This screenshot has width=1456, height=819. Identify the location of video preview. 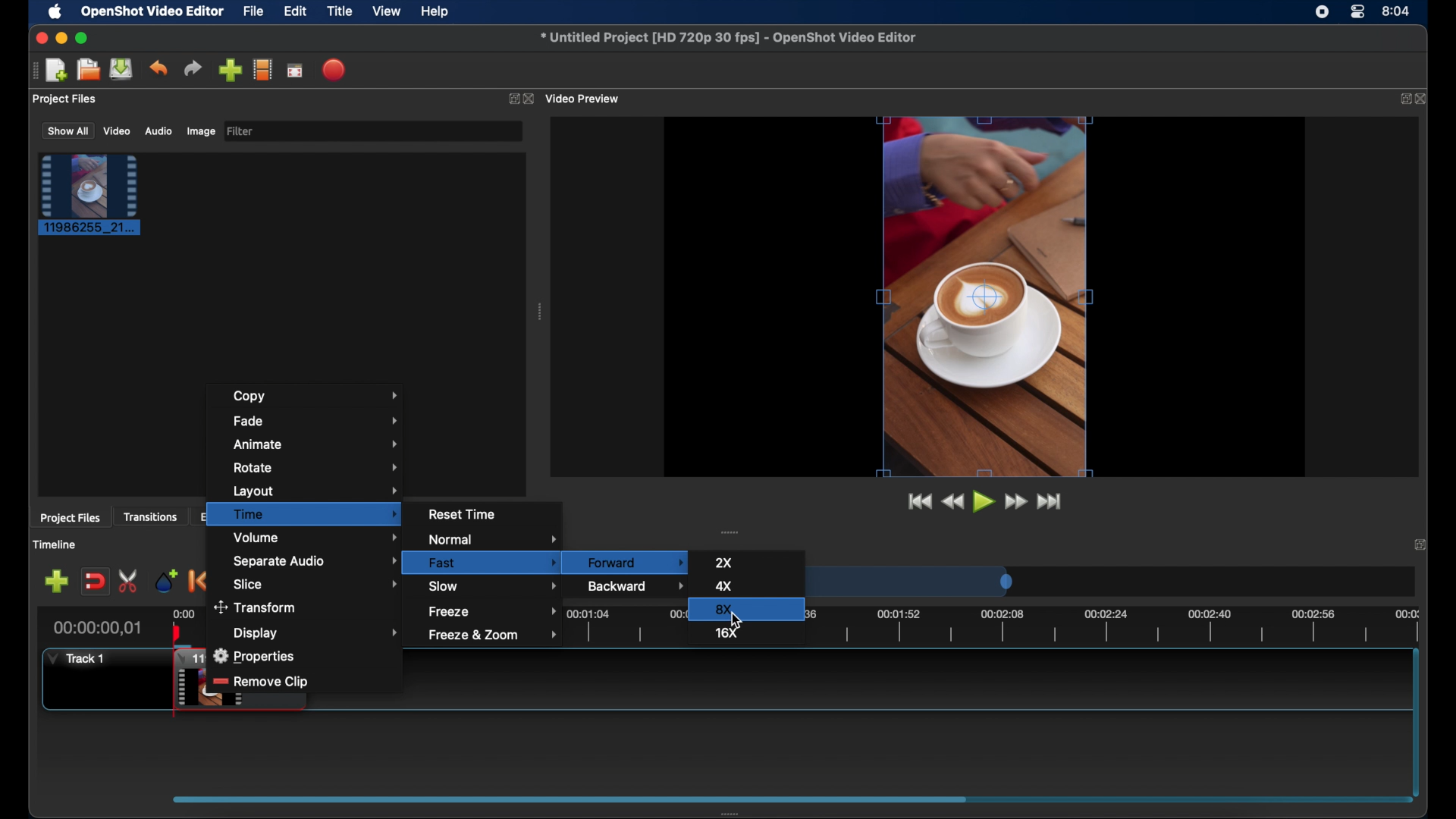
(986, 297).